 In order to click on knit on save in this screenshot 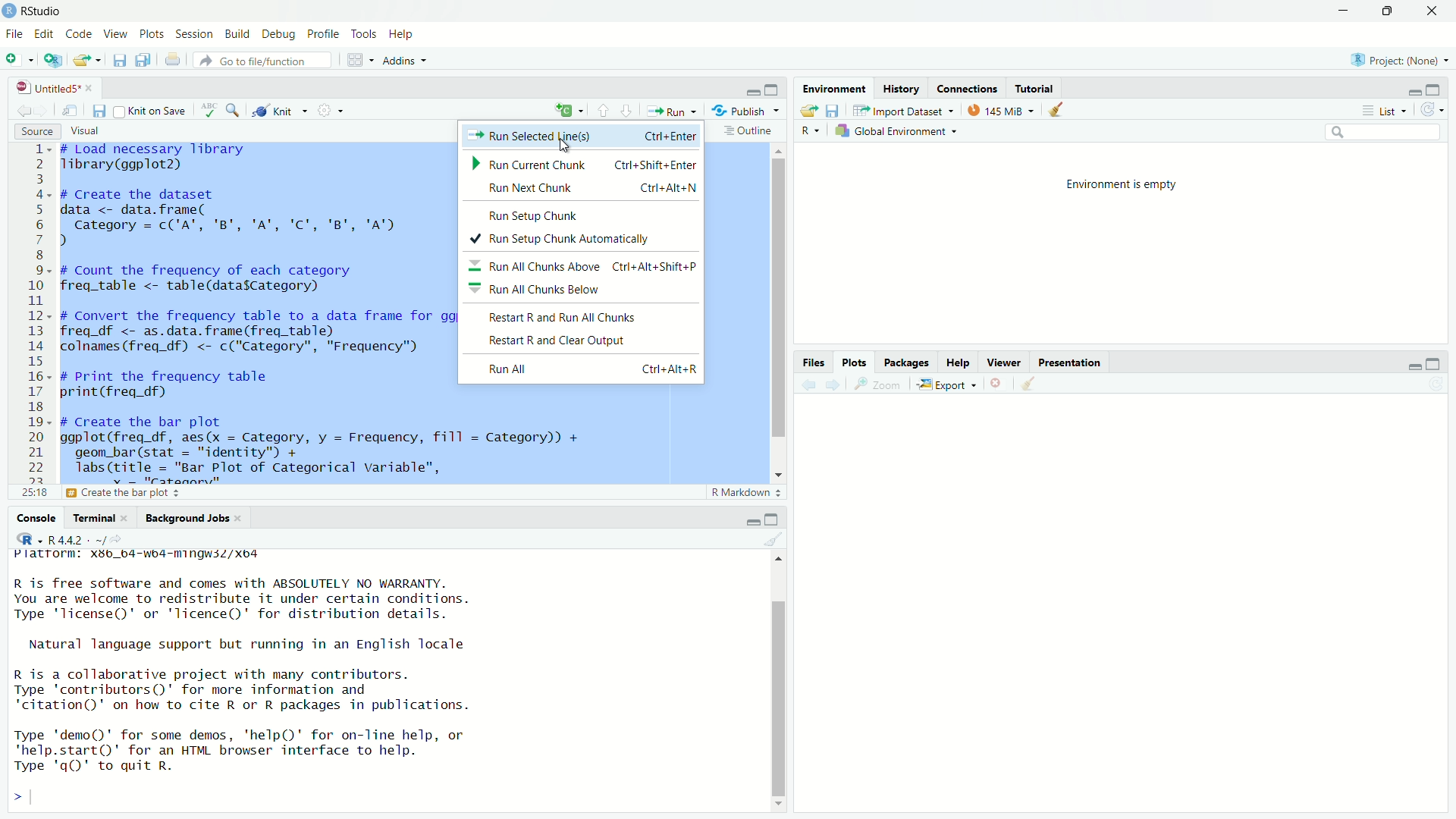, I will do `click(152, 111)`.